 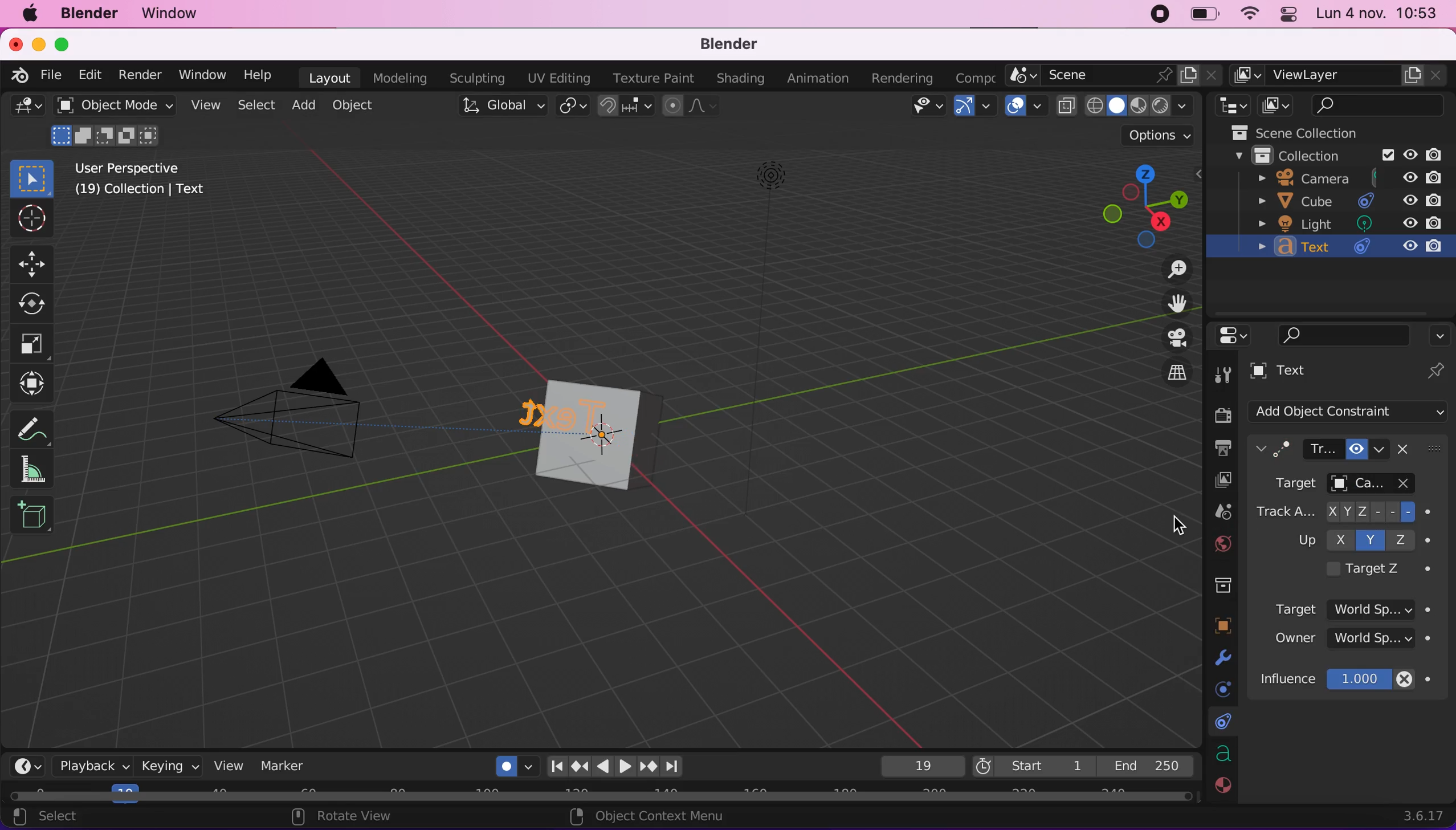 What do you see at coordinates (1441, 332) in the screenshot?
I see `options` at bounding box center [1441, 332].